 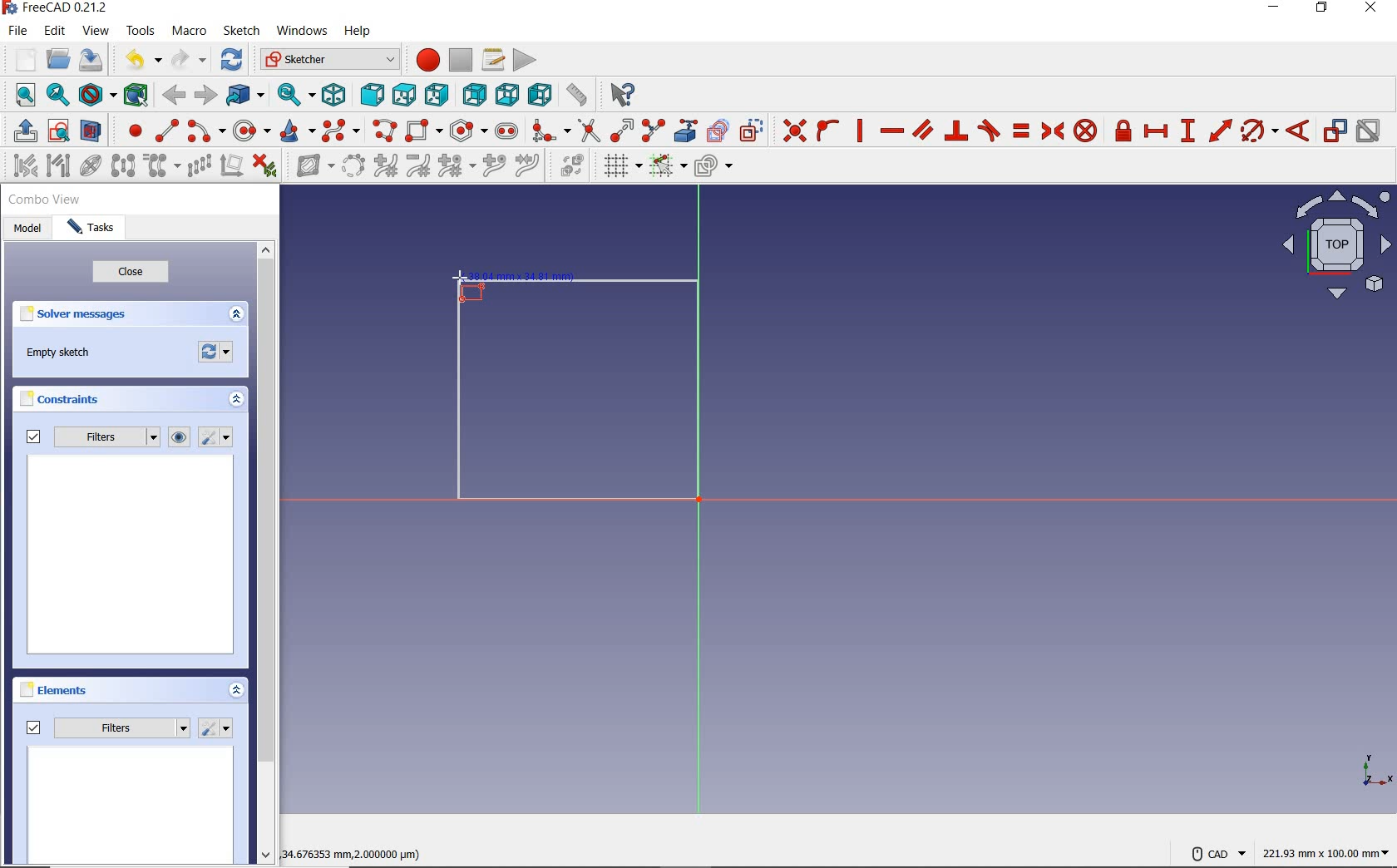 I want to click on minimize, so click(x=1275, y=9).